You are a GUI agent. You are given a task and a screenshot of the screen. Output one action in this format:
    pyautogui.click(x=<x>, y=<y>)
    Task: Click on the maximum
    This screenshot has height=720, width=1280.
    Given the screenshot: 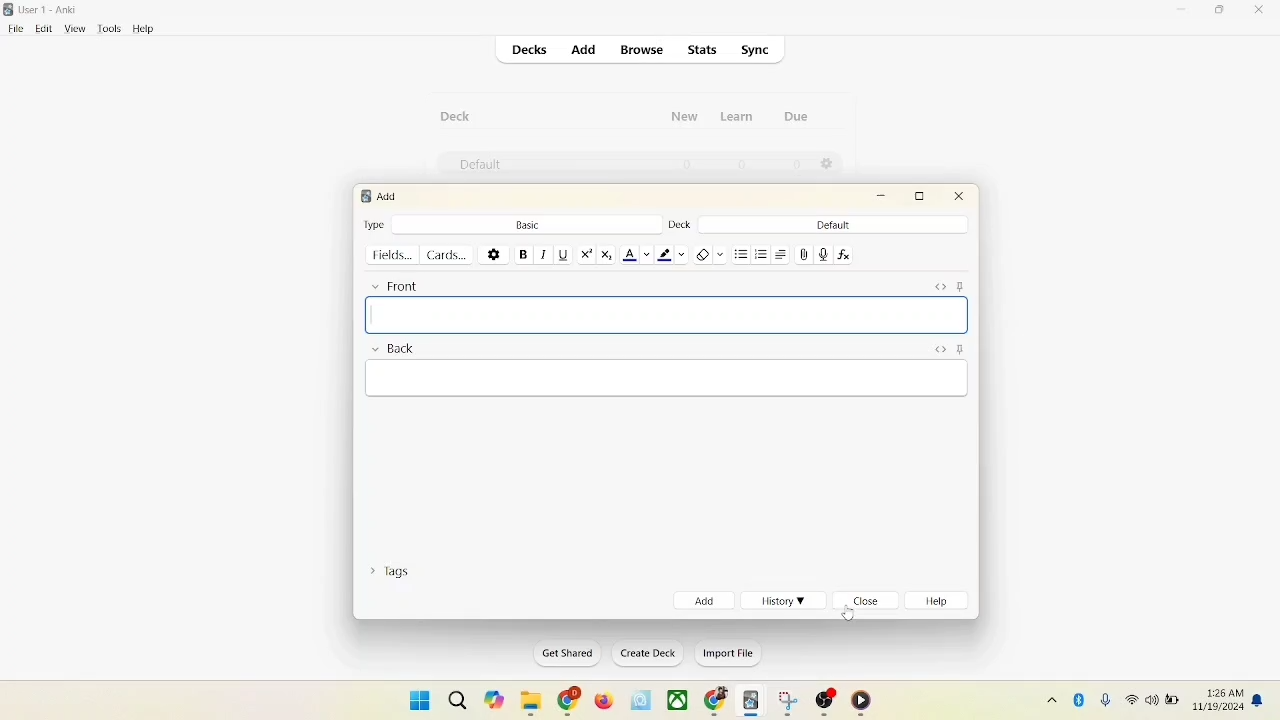 What is the action you would take?
    pyautogui.click(x=923, y=196)
    